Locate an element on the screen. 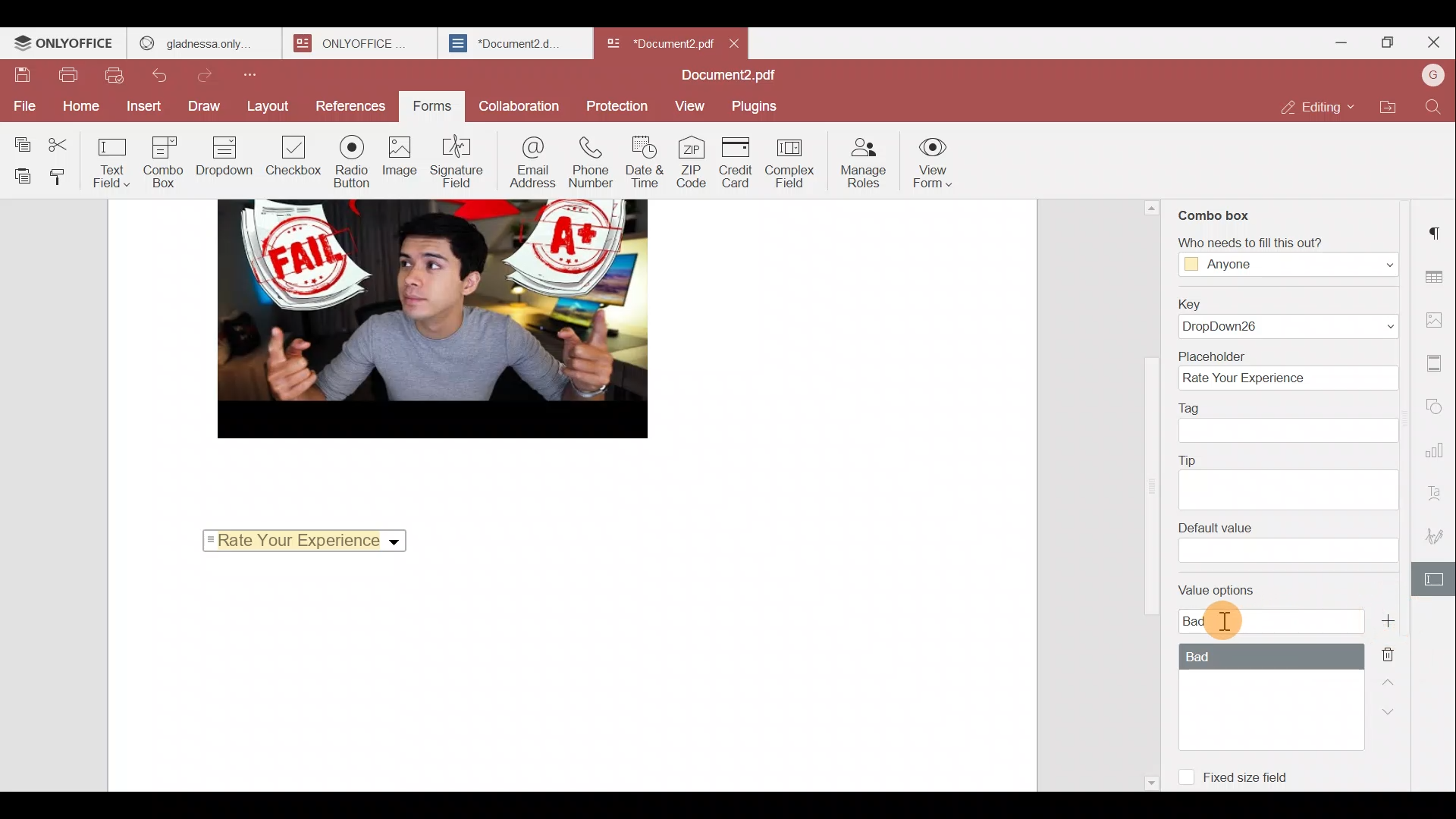 This screenshot has height=819, width=1456. Manage roles is located at coordinates (865, 162).